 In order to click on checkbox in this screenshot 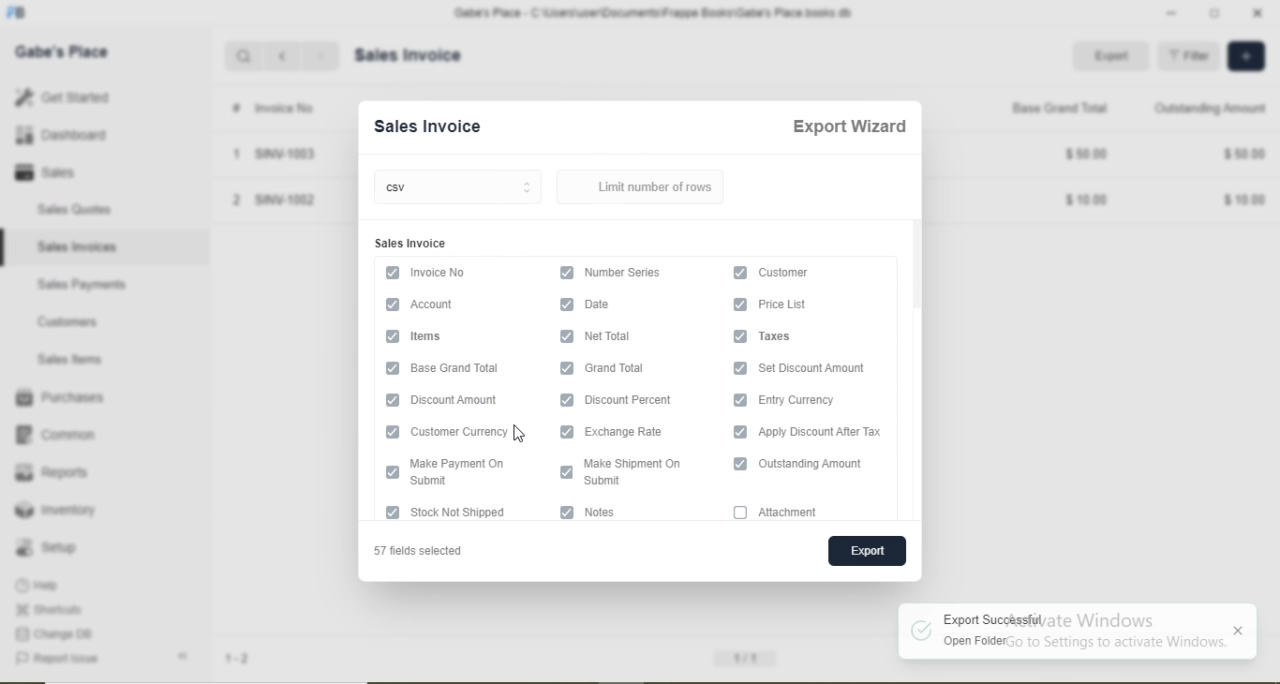, I will do `click(393, 271)`.